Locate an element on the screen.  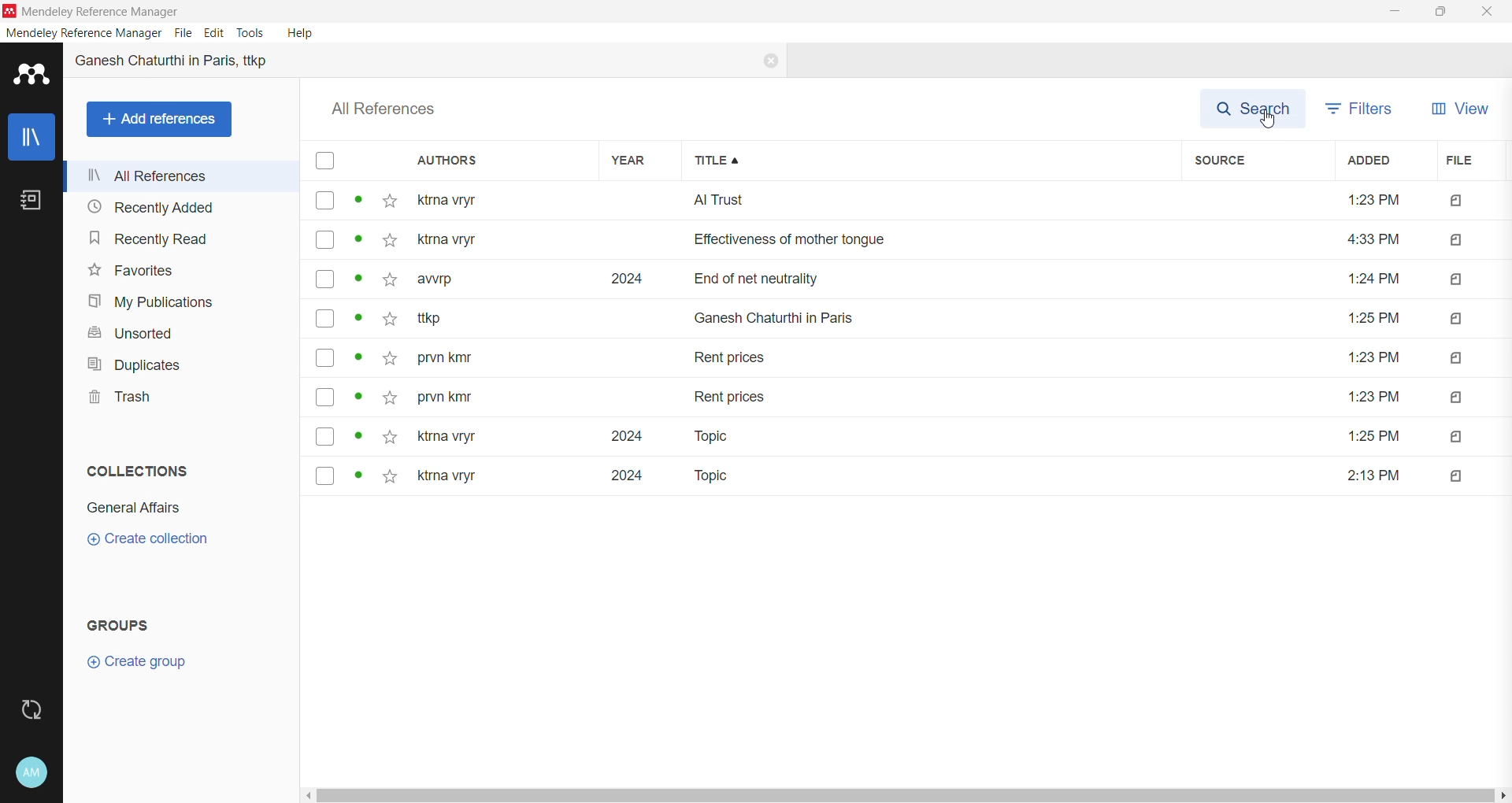
move right is located at coordinates (1503, 794).